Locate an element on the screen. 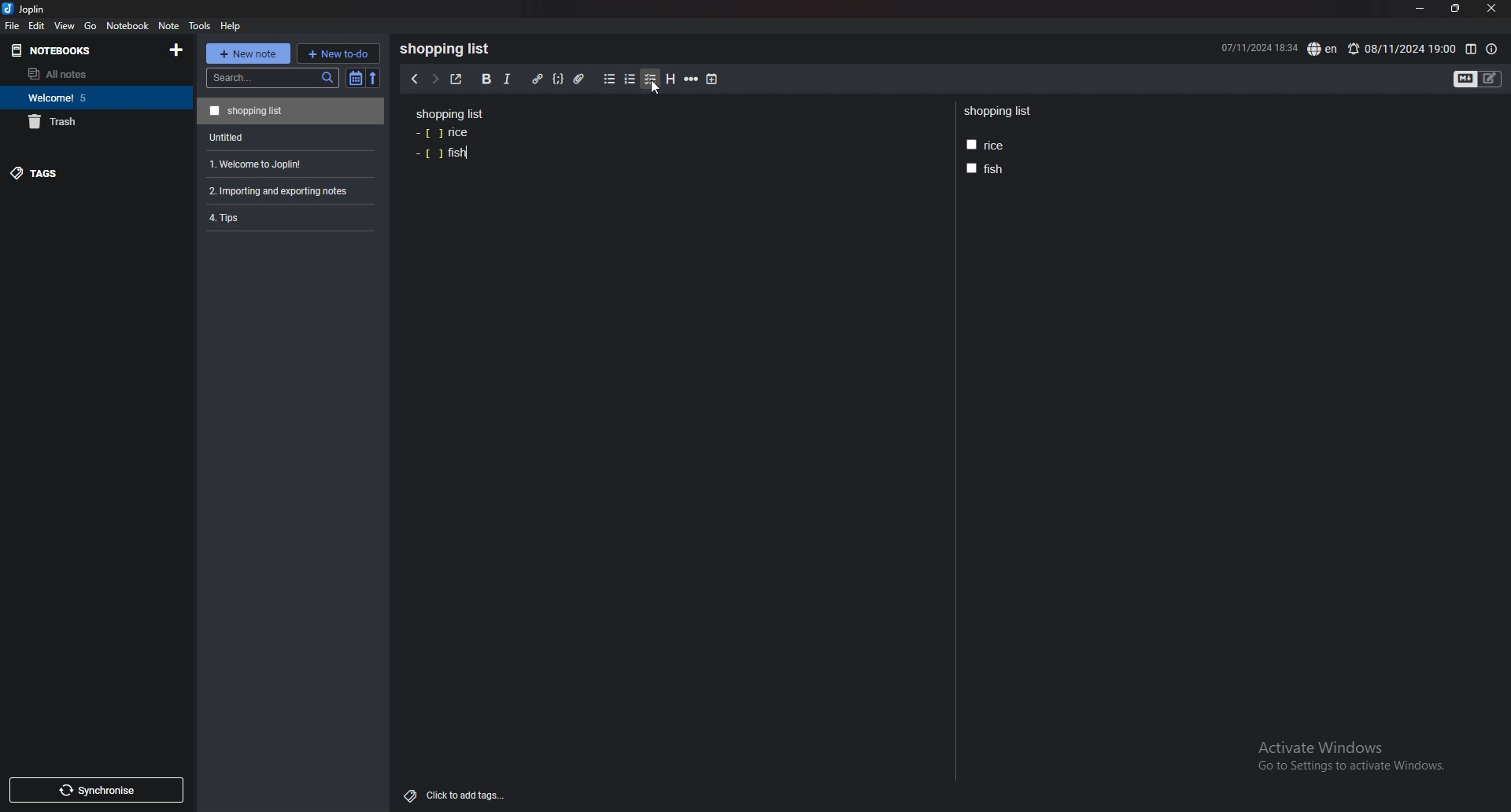 This screenshot has width=1511, height=812. Welcome 5 is located at coordinates (92, 97).